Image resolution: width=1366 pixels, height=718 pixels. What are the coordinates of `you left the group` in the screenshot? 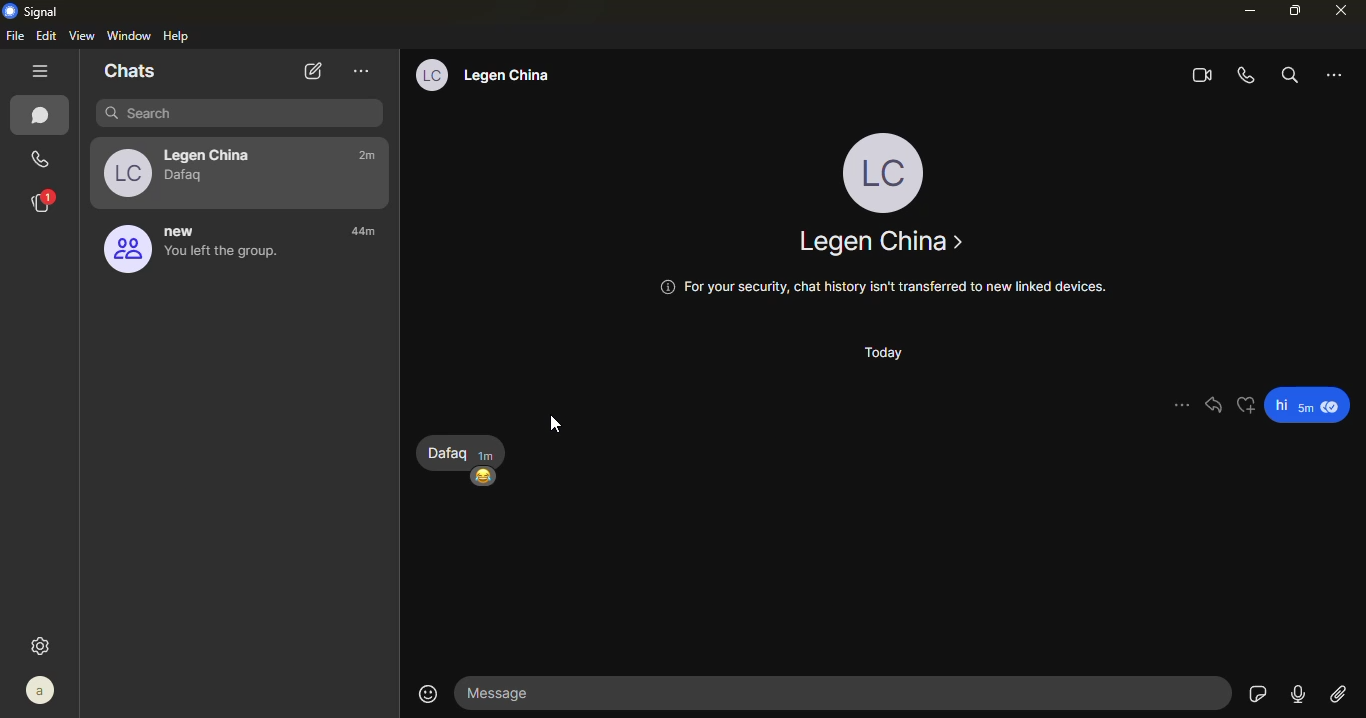 It's located at (222, 259).